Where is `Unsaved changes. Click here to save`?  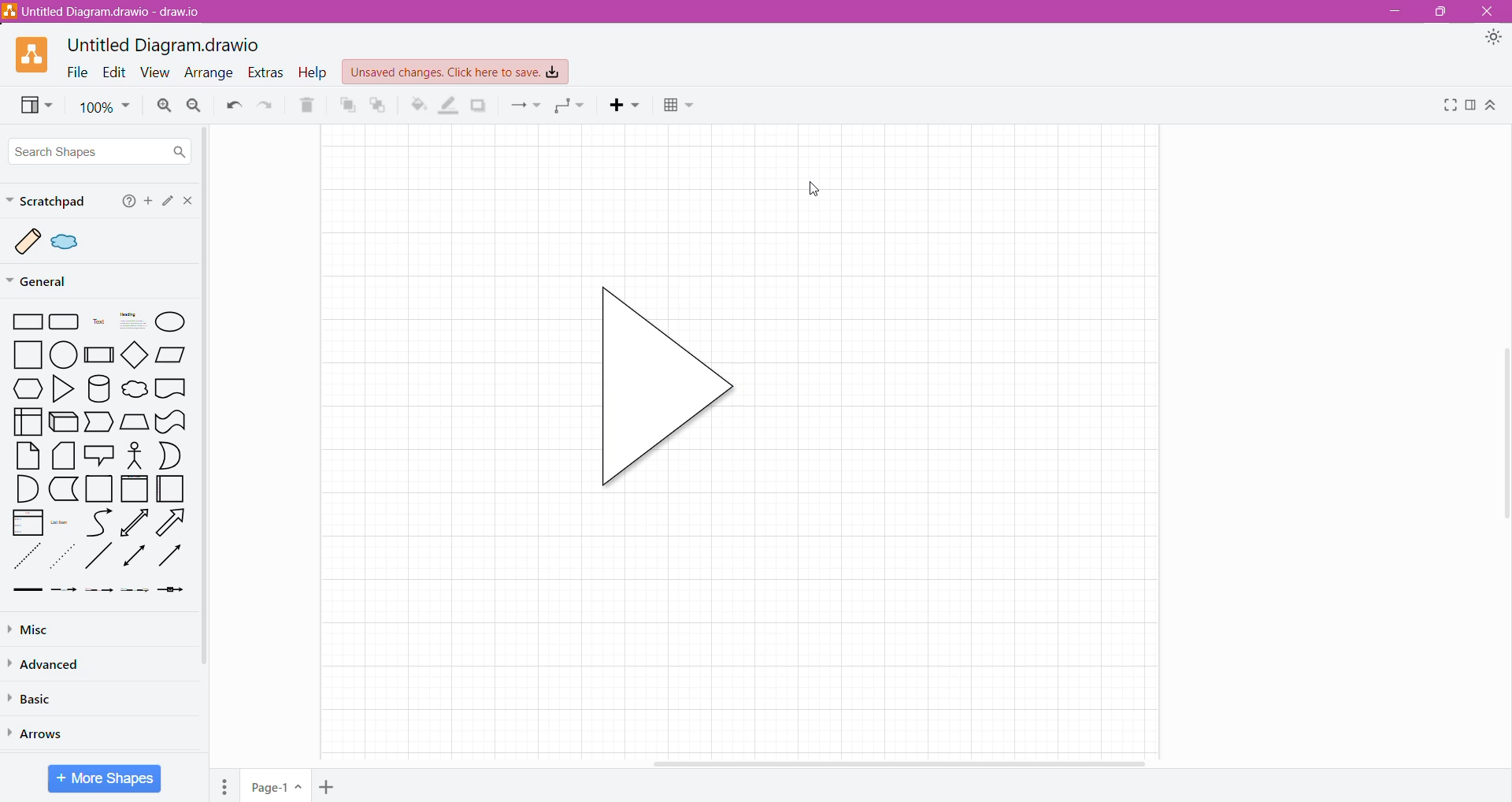
Unsaved changes. Click here to save is located at coordinates (454, 72).